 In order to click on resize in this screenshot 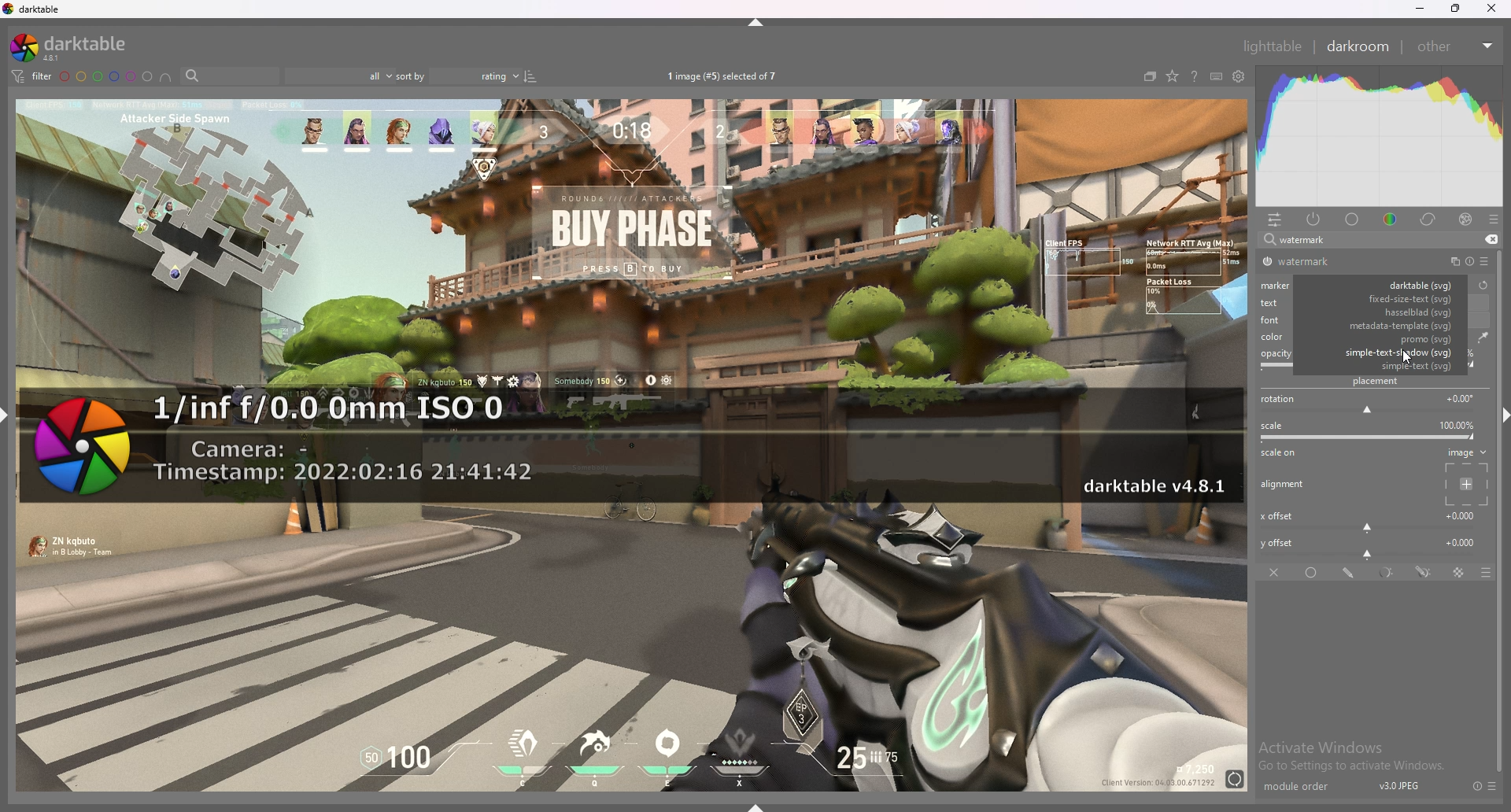, I will do `click(1456, 9)`.